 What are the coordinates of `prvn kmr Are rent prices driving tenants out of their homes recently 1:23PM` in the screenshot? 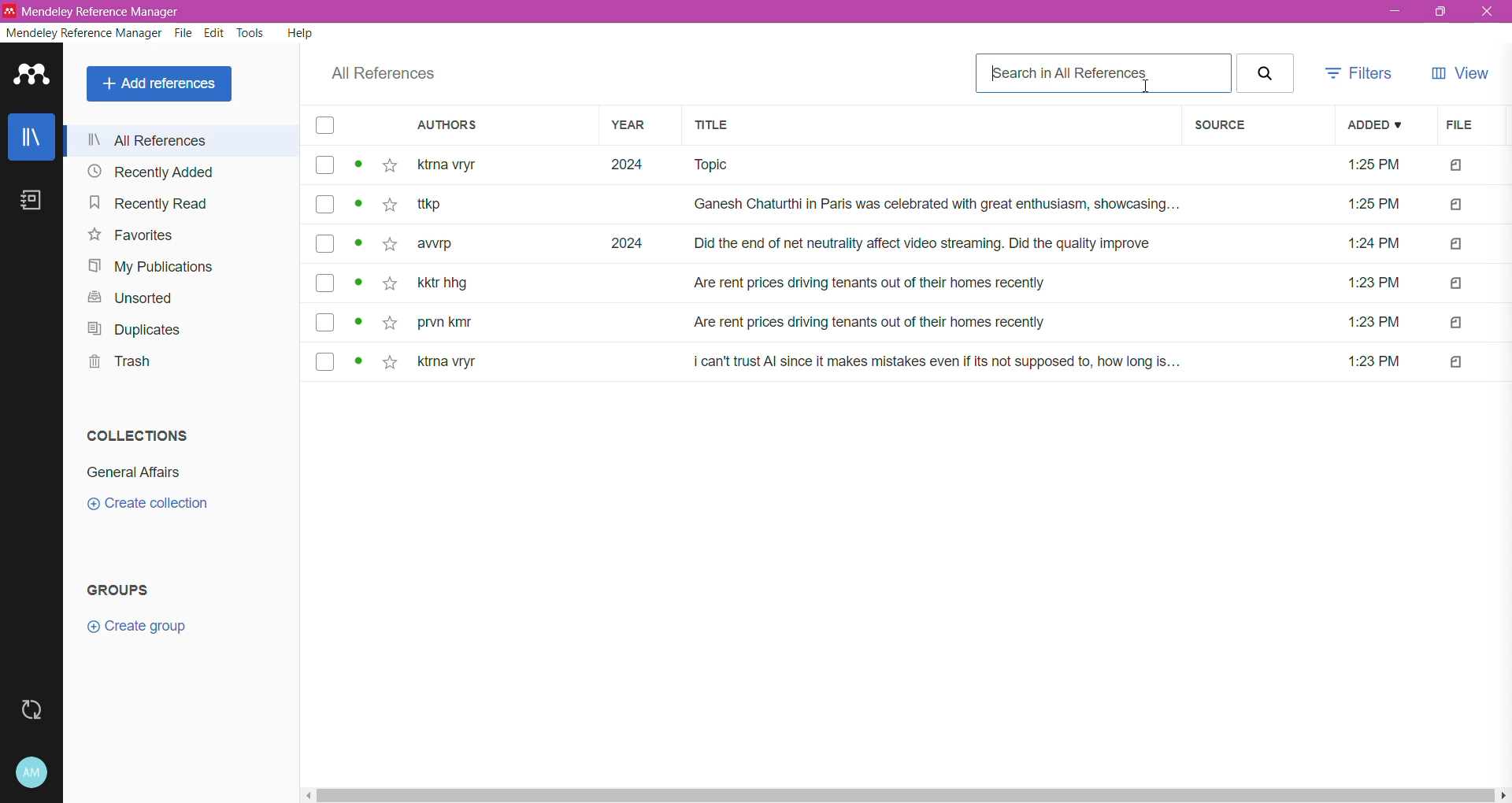 It's located at (917, 324).